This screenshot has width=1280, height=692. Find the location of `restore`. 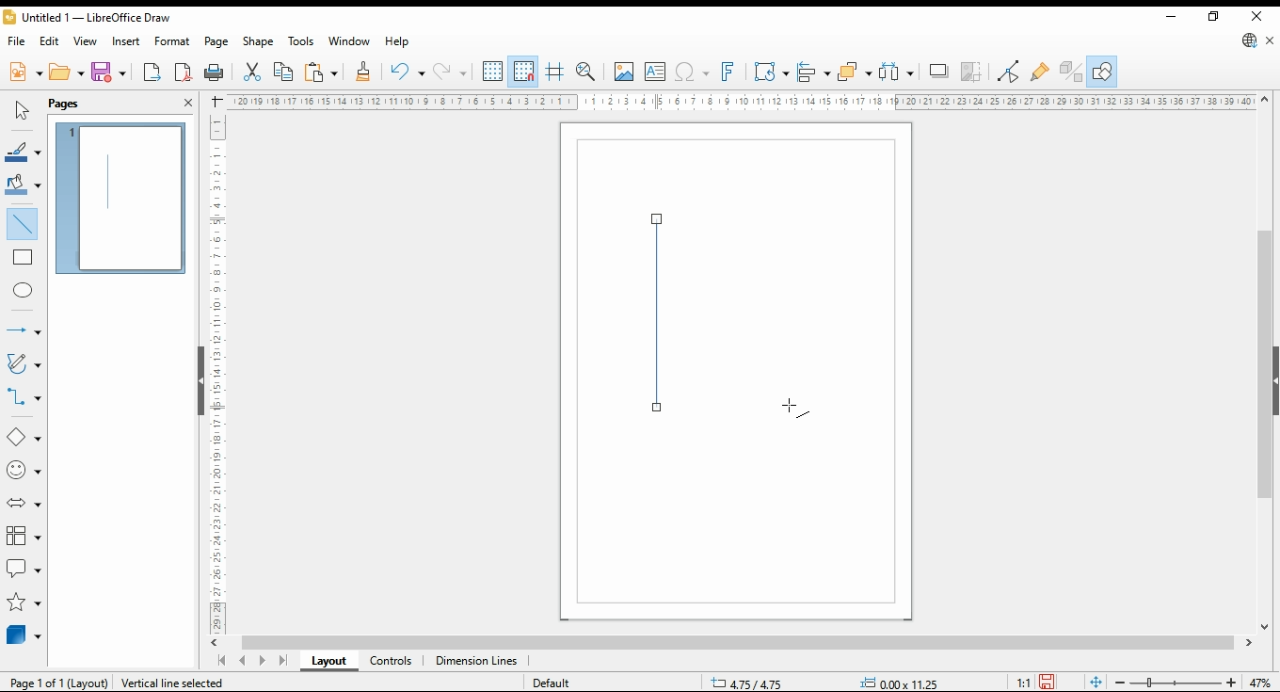

restore is located at coordinates (1216, 16).